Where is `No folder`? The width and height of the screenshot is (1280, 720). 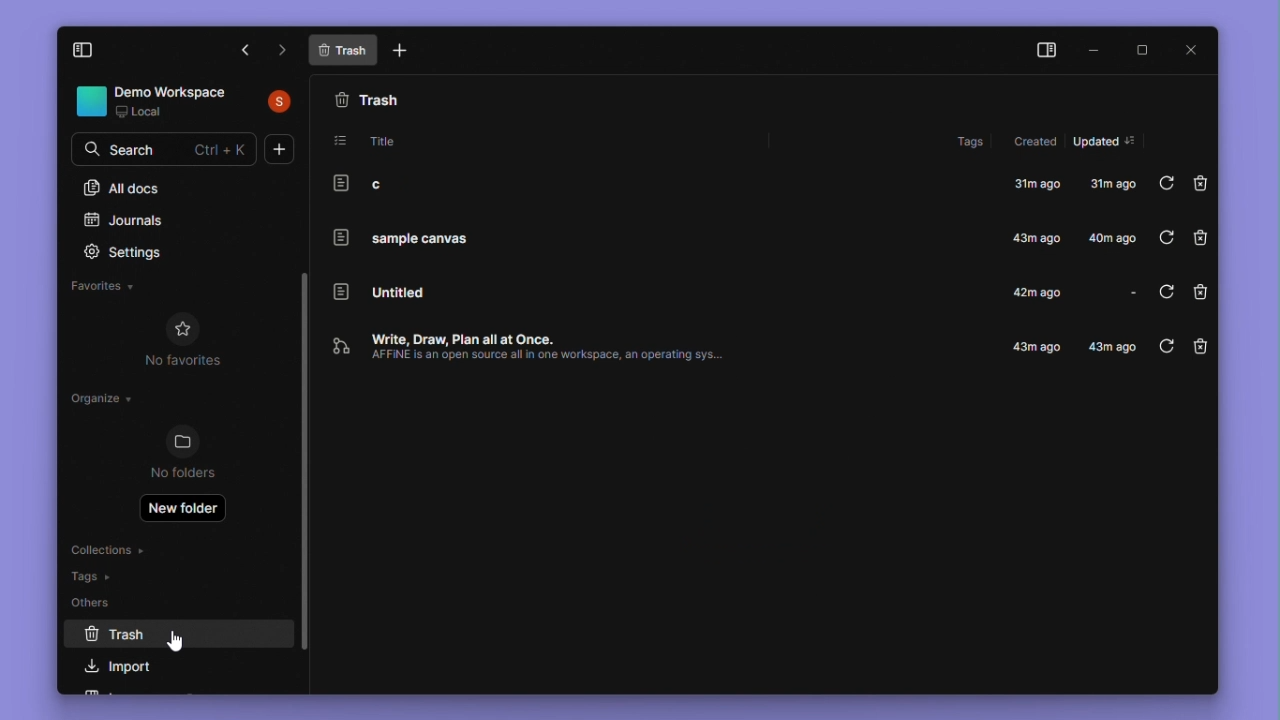
No folder is located at coordinates (189, 456).